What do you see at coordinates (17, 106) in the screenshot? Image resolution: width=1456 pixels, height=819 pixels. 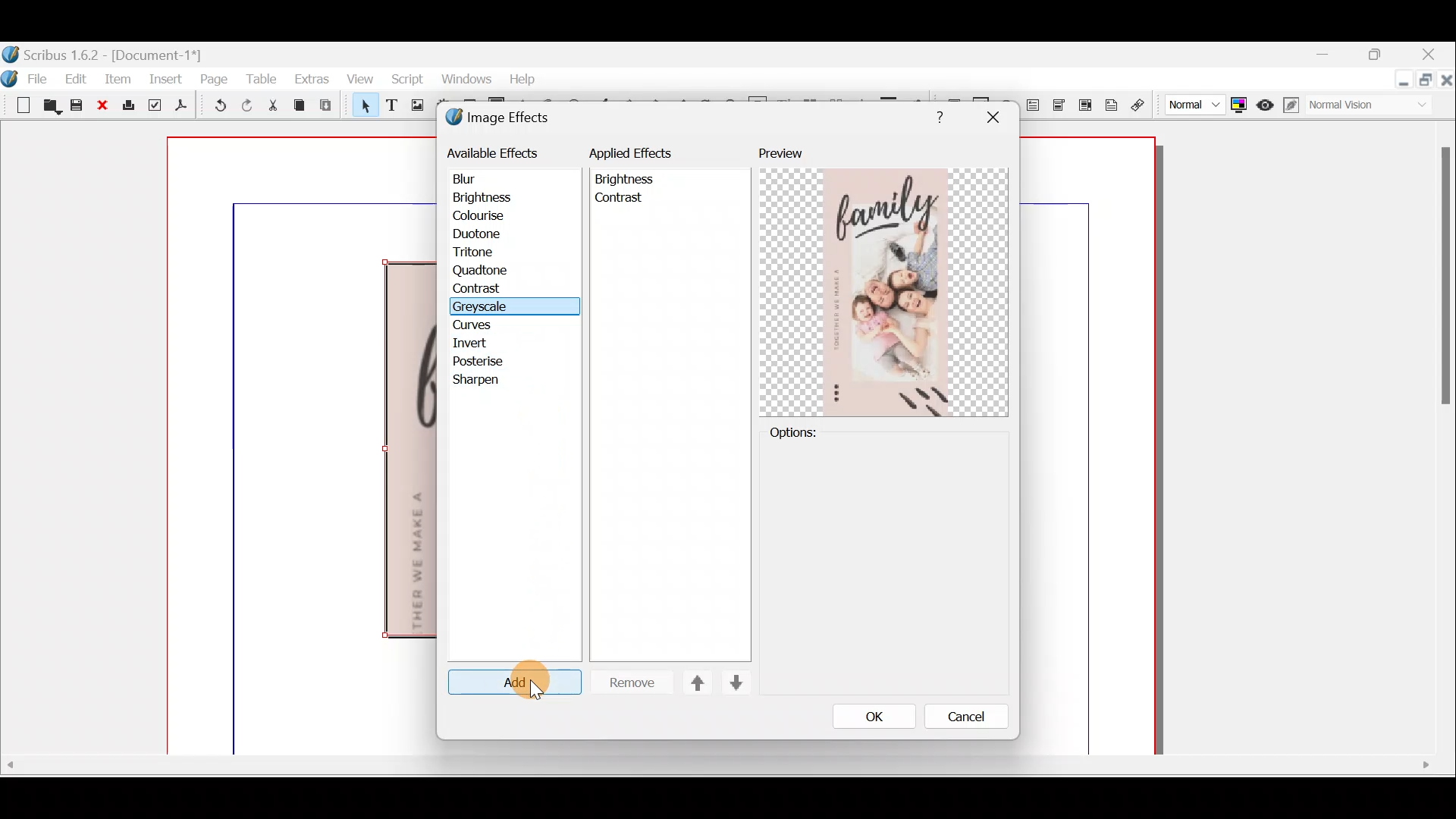 I see `New` at bounding box center [17, 106].